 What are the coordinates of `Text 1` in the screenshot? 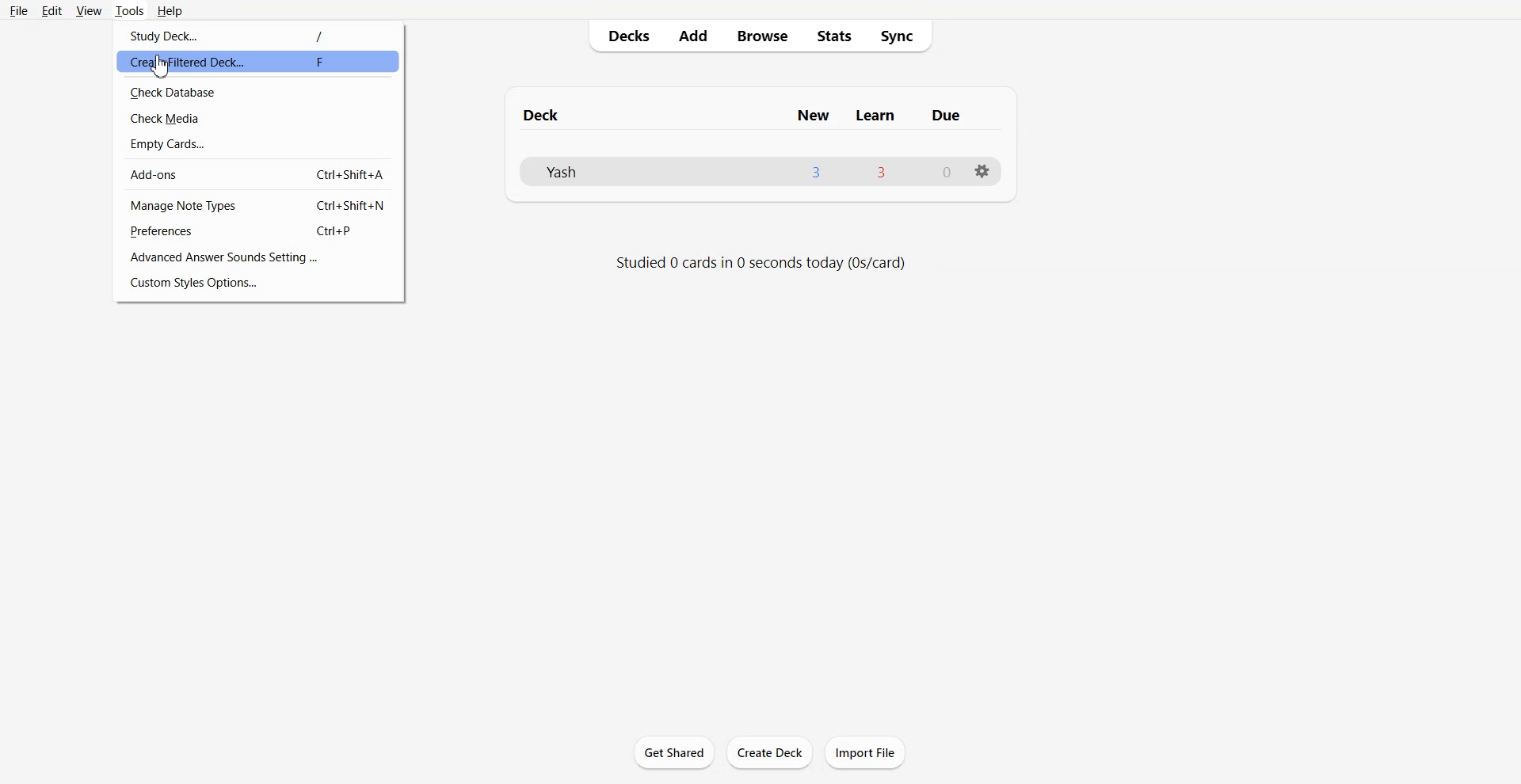 It's located at (546, 115).